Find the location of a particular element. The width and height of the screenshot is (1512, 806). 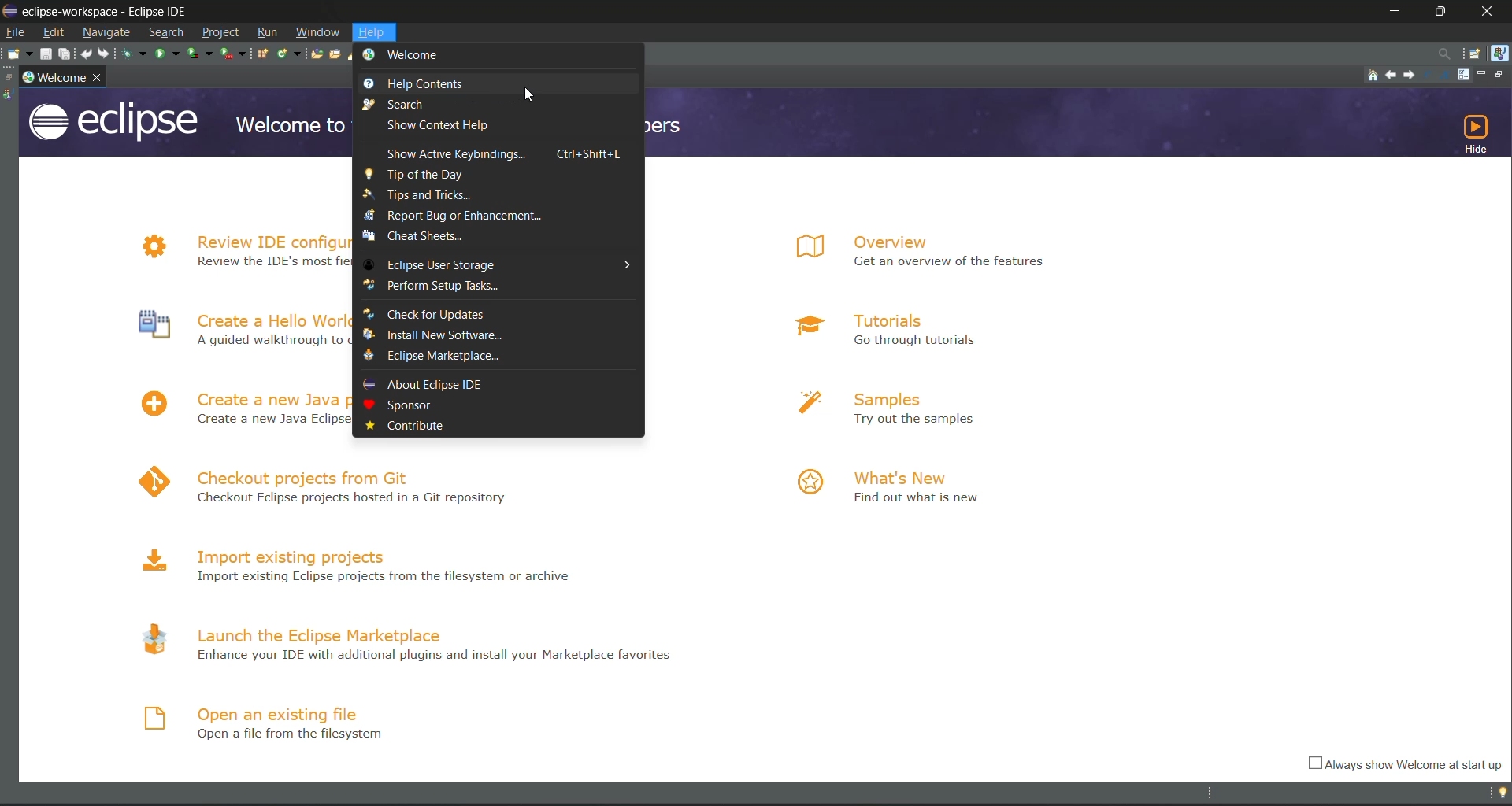

maximize is located at coordinates (1443, 14).